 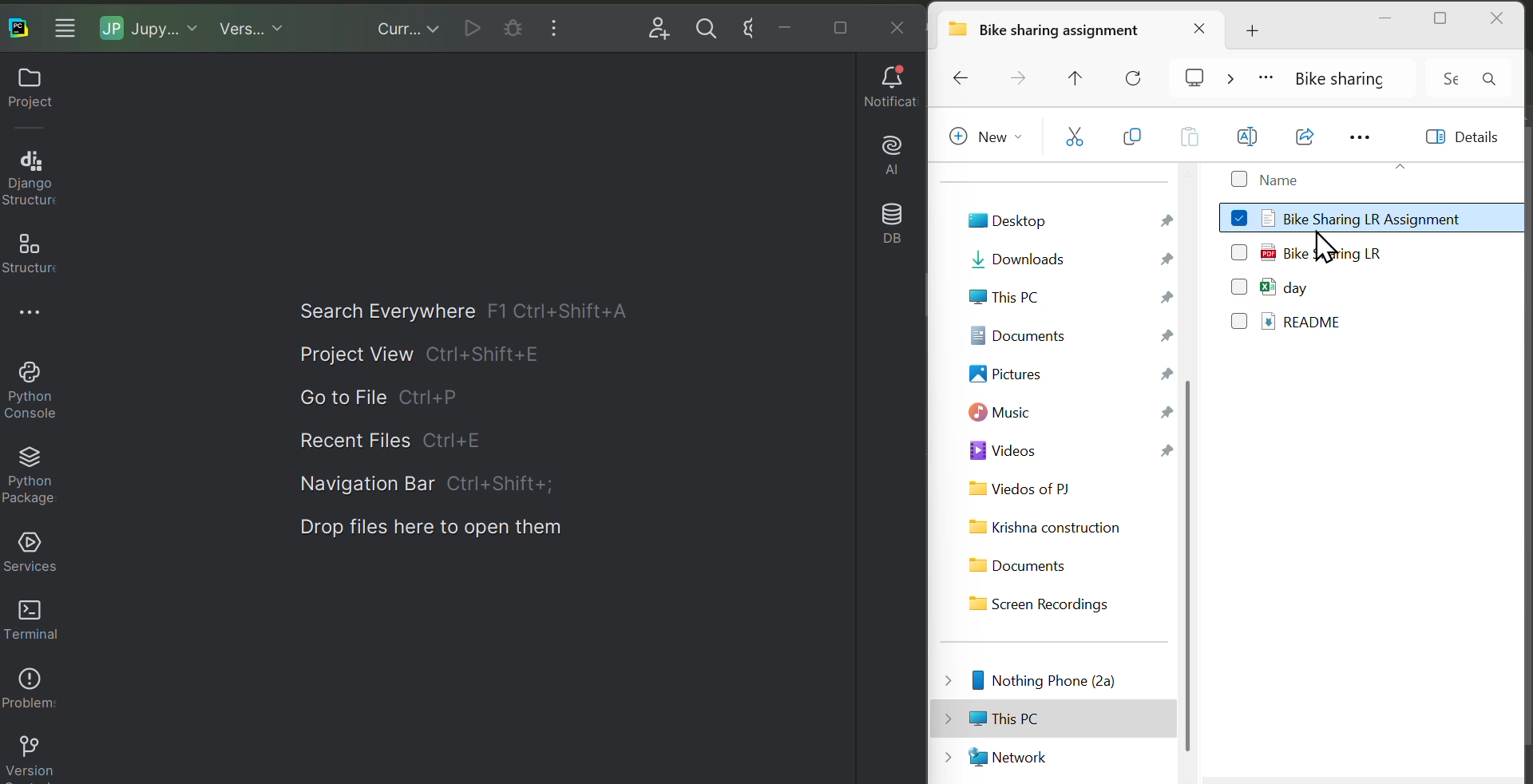 I want to click on Screen Recordings, so click(x=1051, y=603).